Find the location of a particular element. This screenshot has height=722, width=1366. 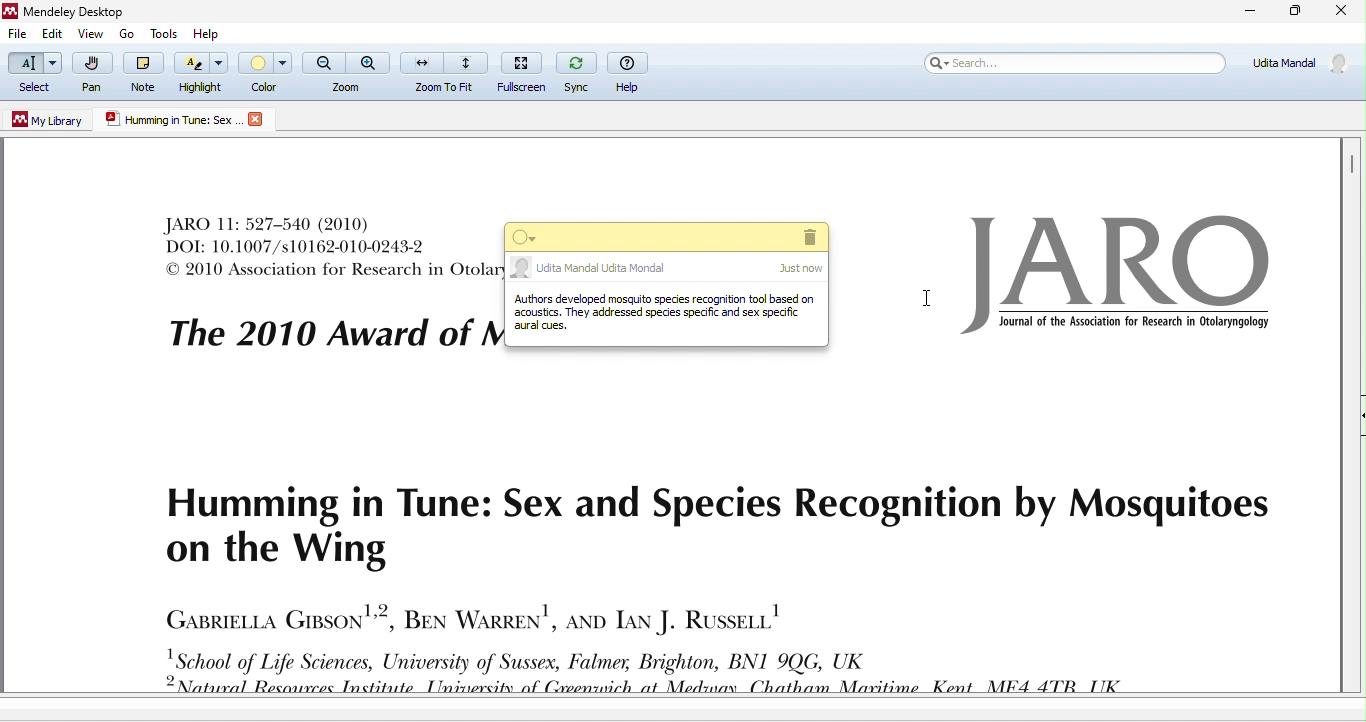

close is located at coordinates (257, 120).